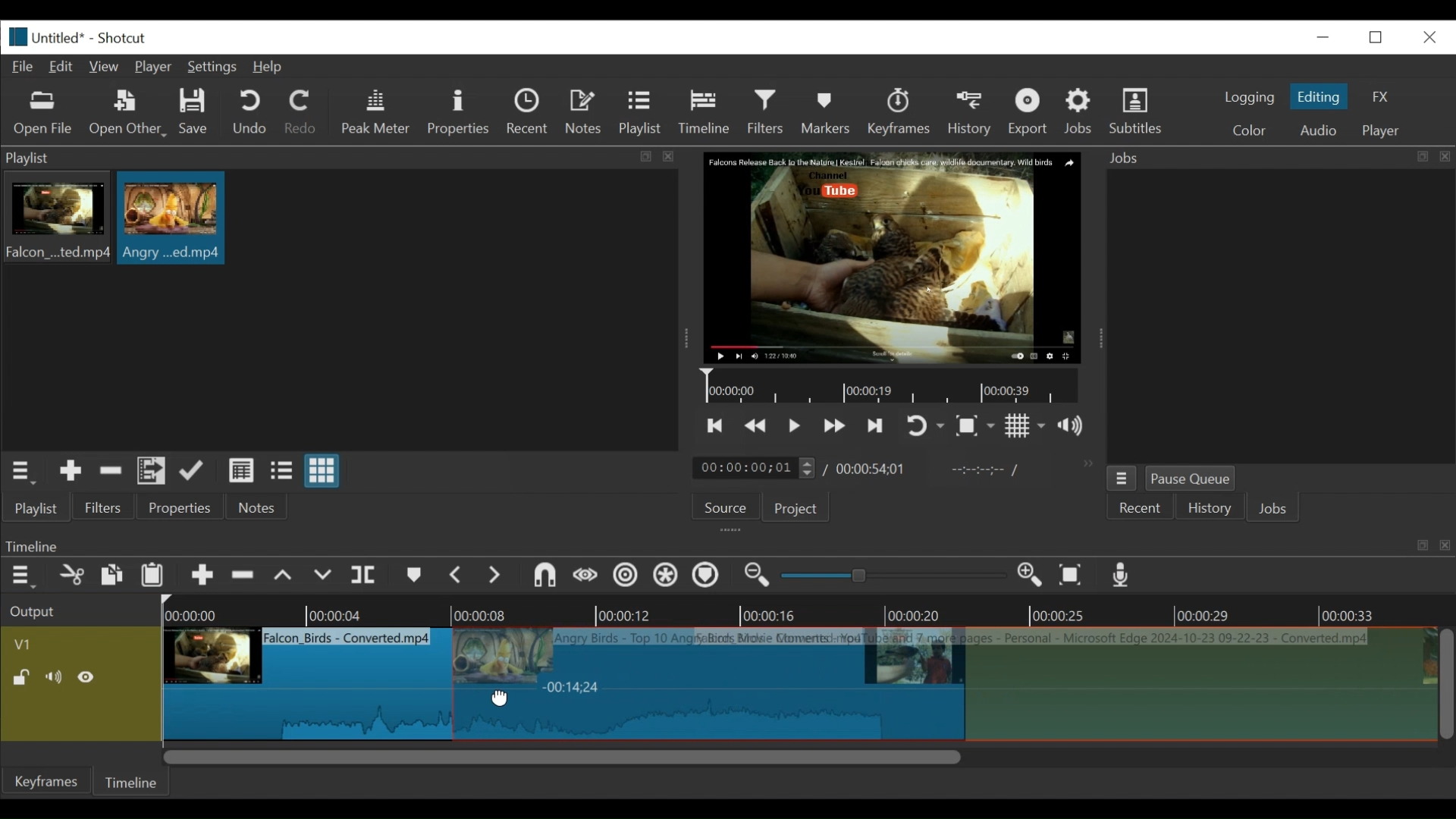 This screenshot has height=819, width=1456. What do you see at coordinates (283, 470) in the screenshot?
I see `view as files` at bounding box center [283, 470].